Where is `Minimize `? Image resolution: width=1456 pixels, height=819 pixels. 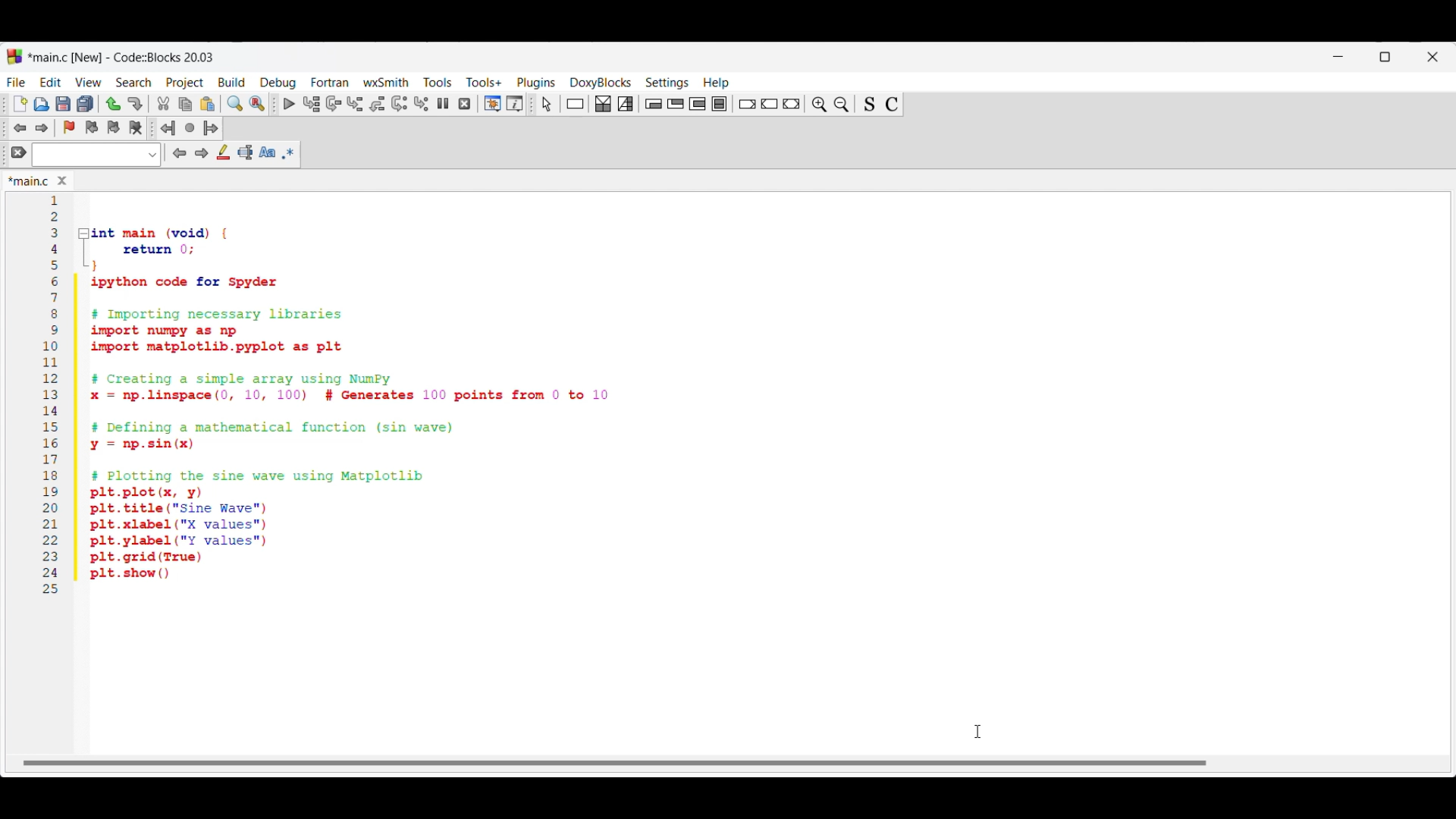 Minimize  is located at coordinates (1338, 57).